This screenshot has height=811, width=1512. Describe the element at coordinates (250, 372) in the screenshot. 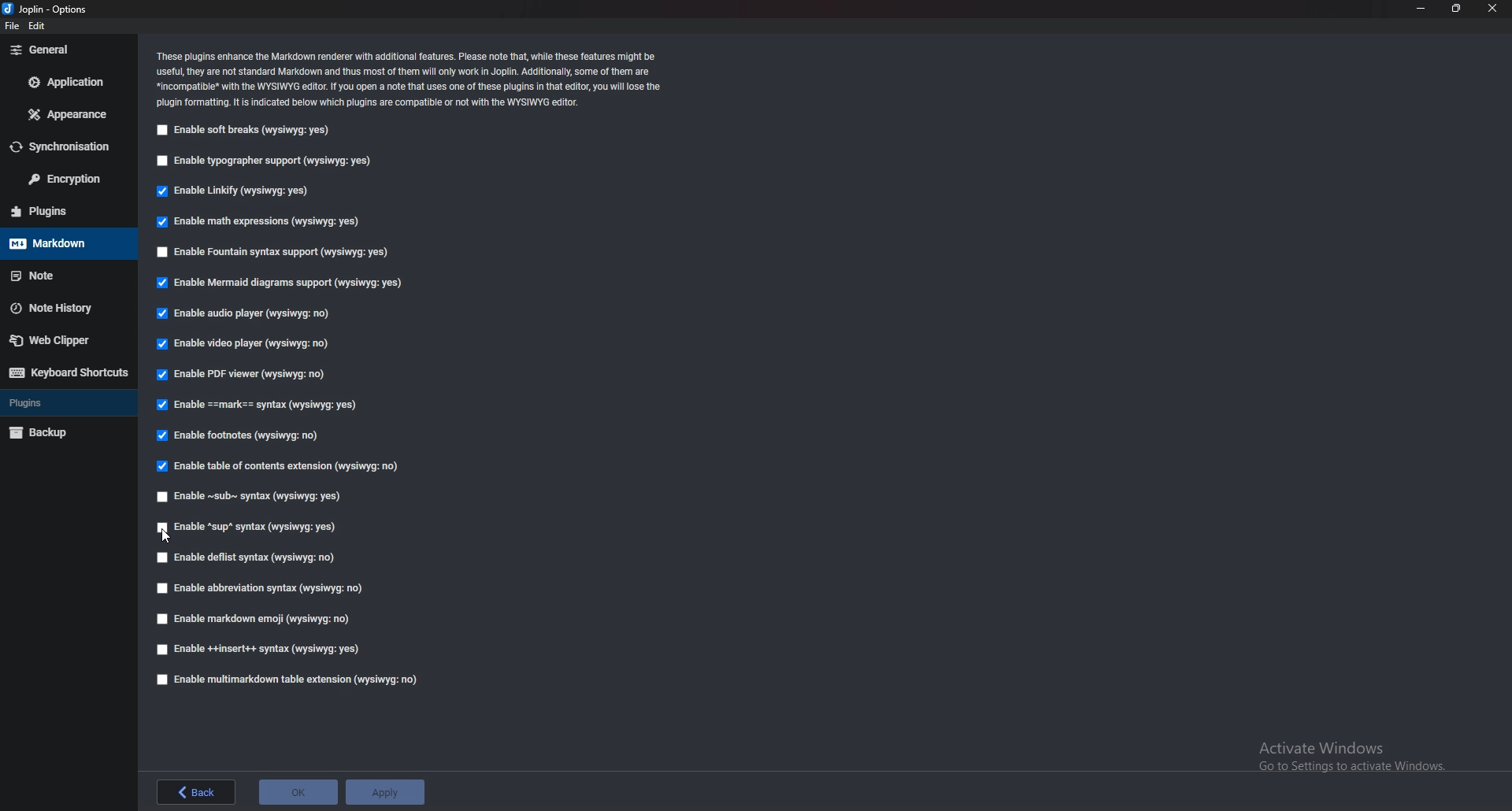

I see `Enable PDF viewer (wysiwyg: no)` at that location.